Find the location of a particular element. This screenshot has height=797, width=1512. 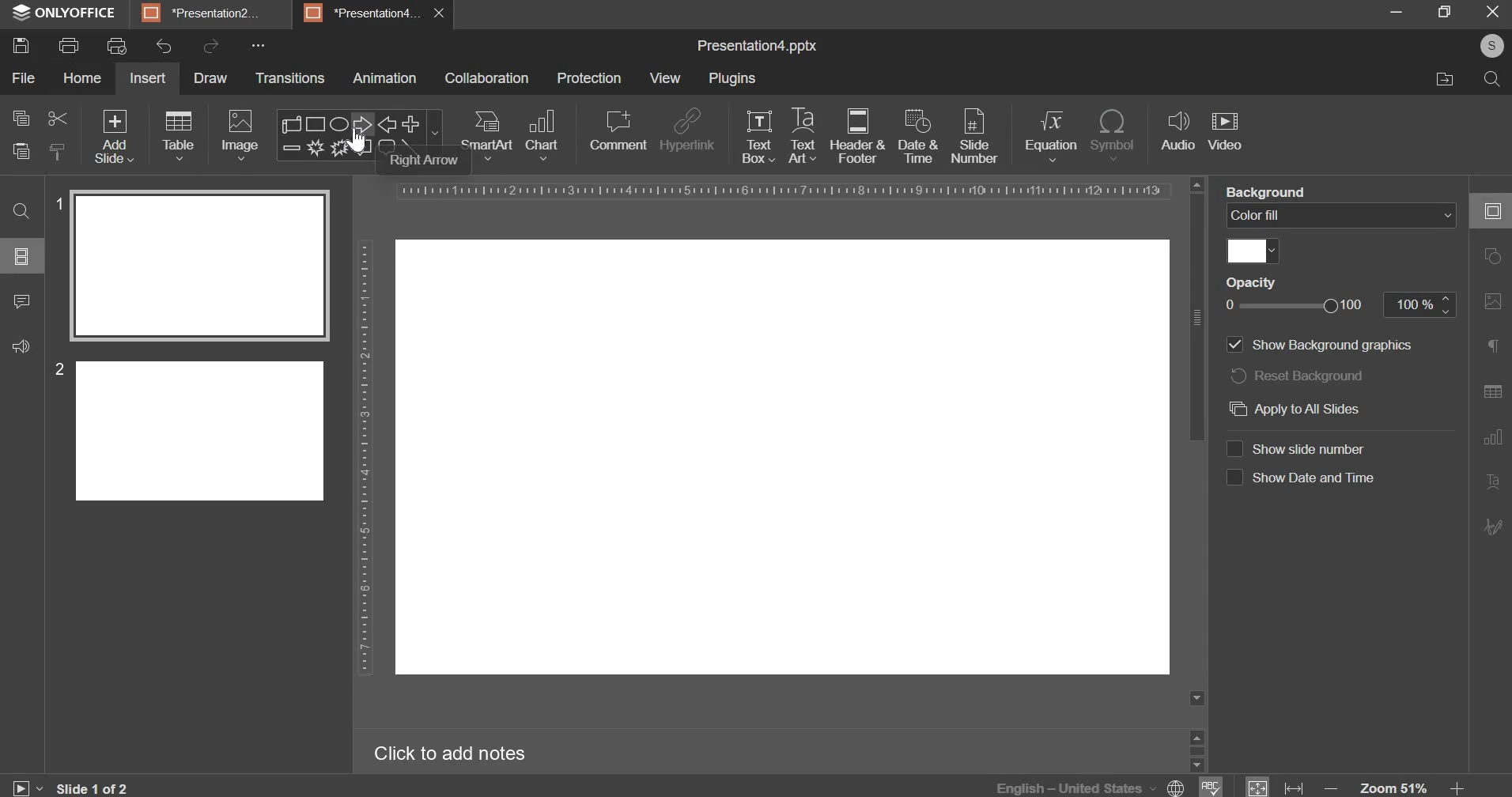

vertical scale is located at coordinates (360, 459).